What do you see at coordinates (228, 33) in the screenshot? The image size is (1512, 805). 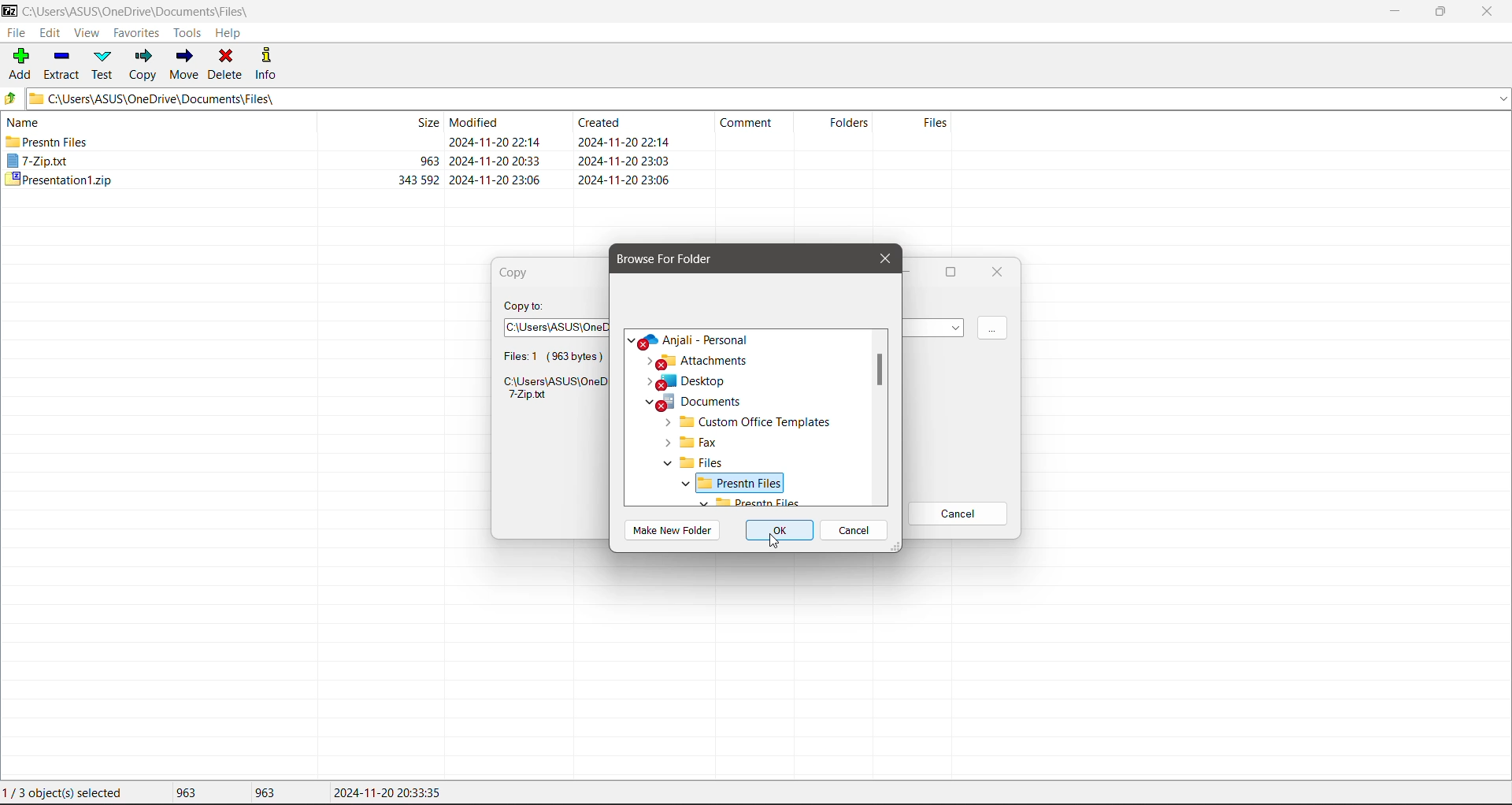 I see `Help` at bounding box center [228, 33].